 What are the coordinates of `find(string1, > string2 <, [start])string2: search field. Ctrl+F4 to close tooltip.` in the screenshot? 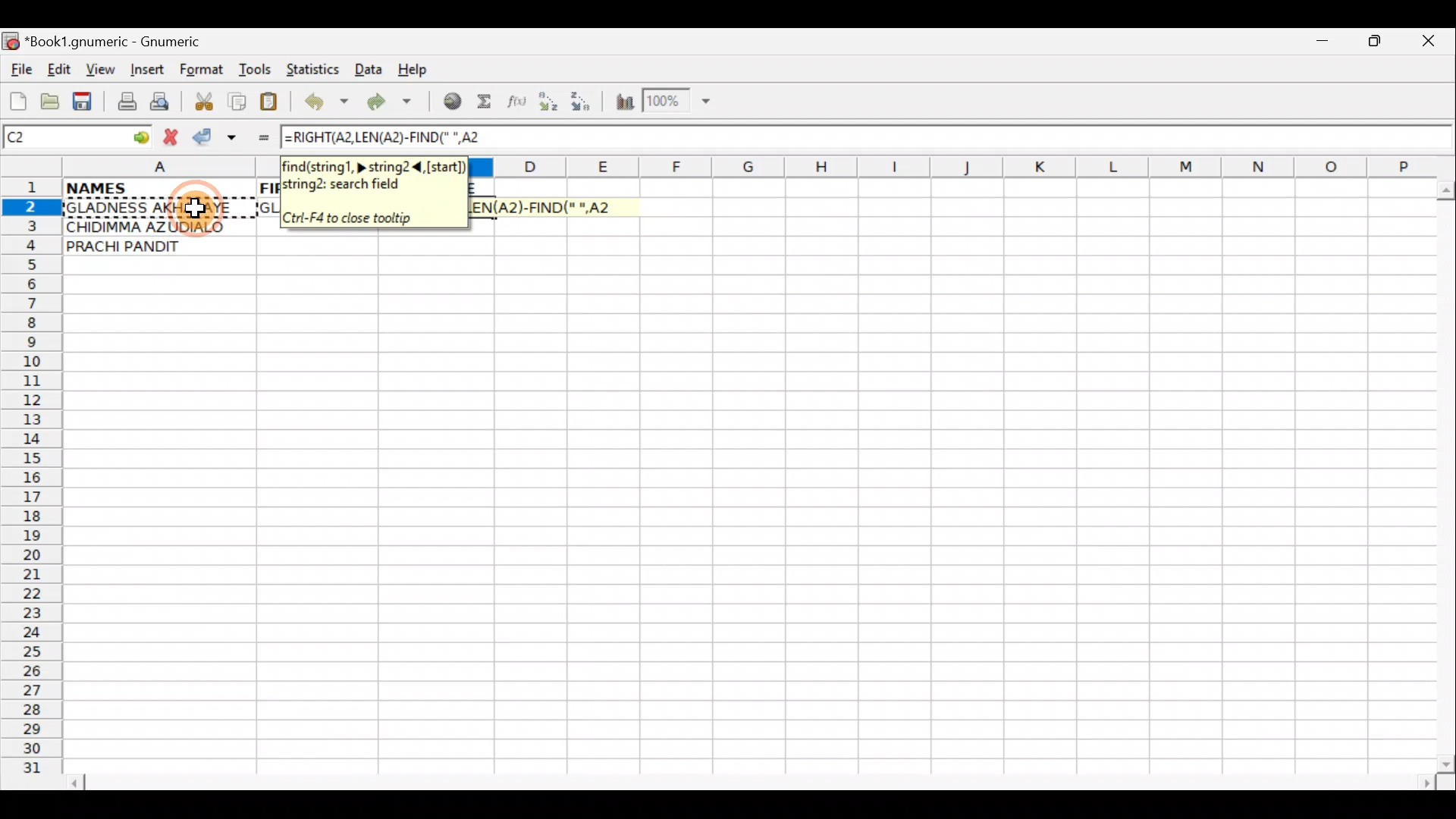 It's located at (374, 193).